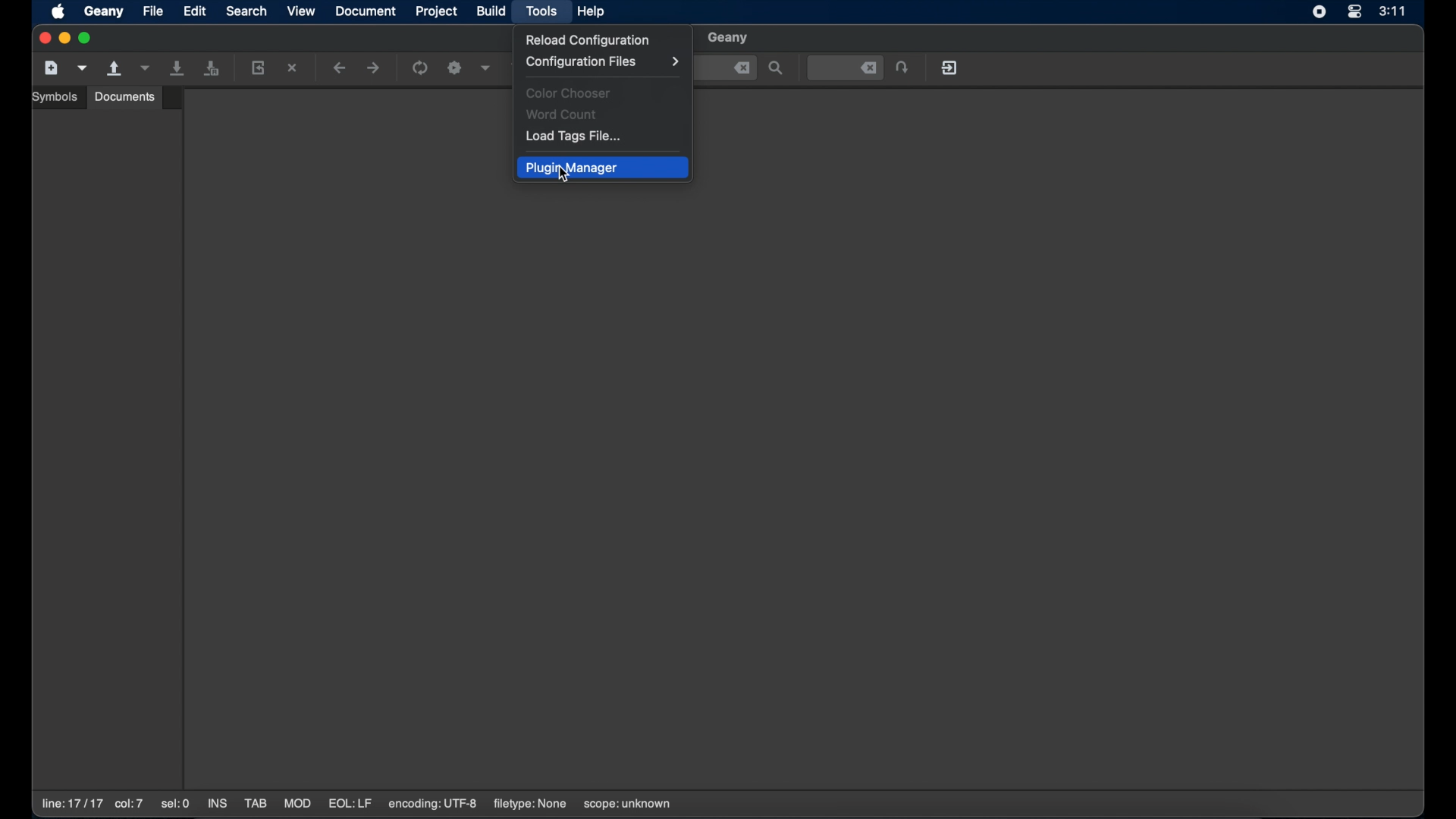  I want to click on documents, so click(125, 96).